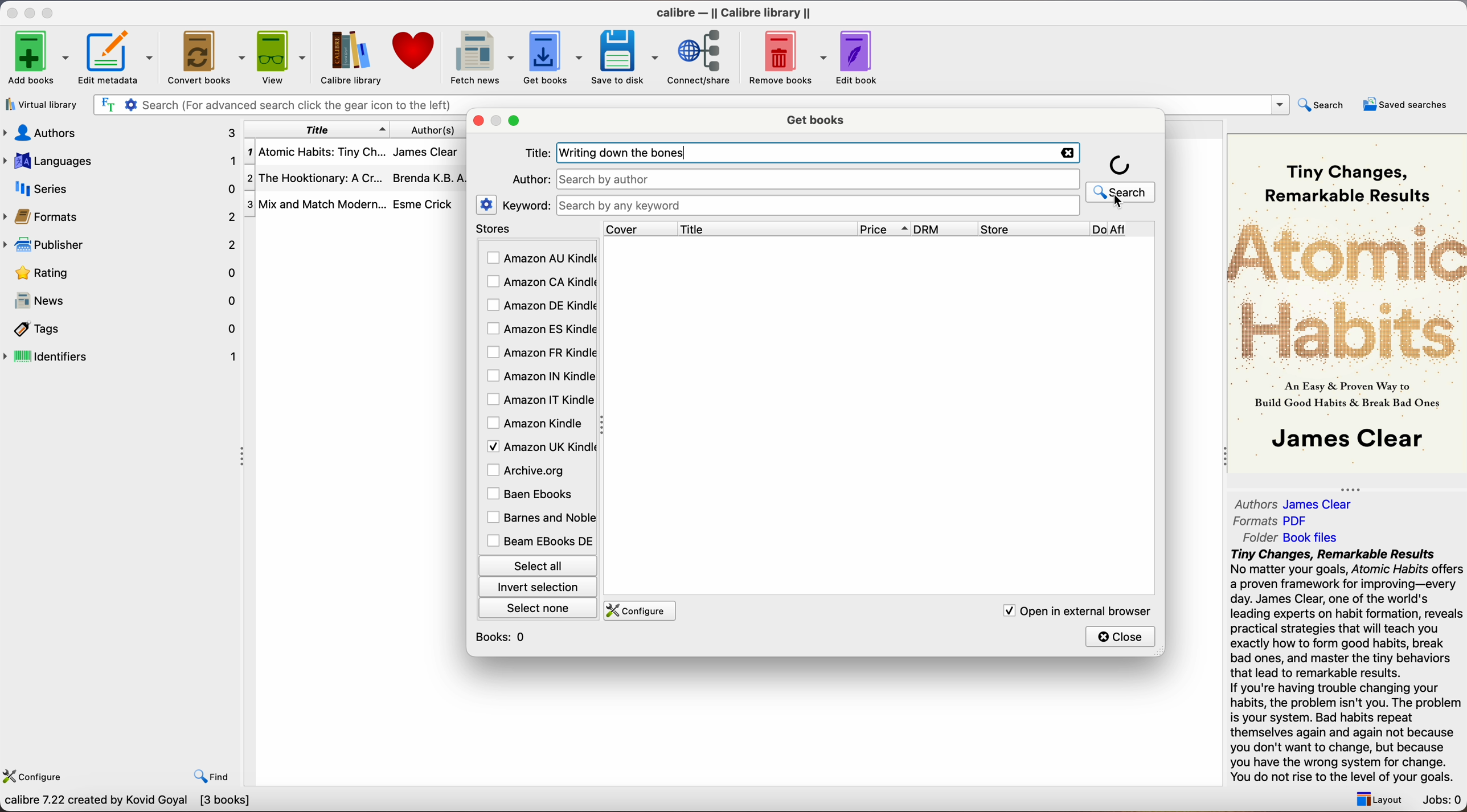 The width and height of the screenshot is (1467, 812). I want to click on books: 0, so click(503, 637).